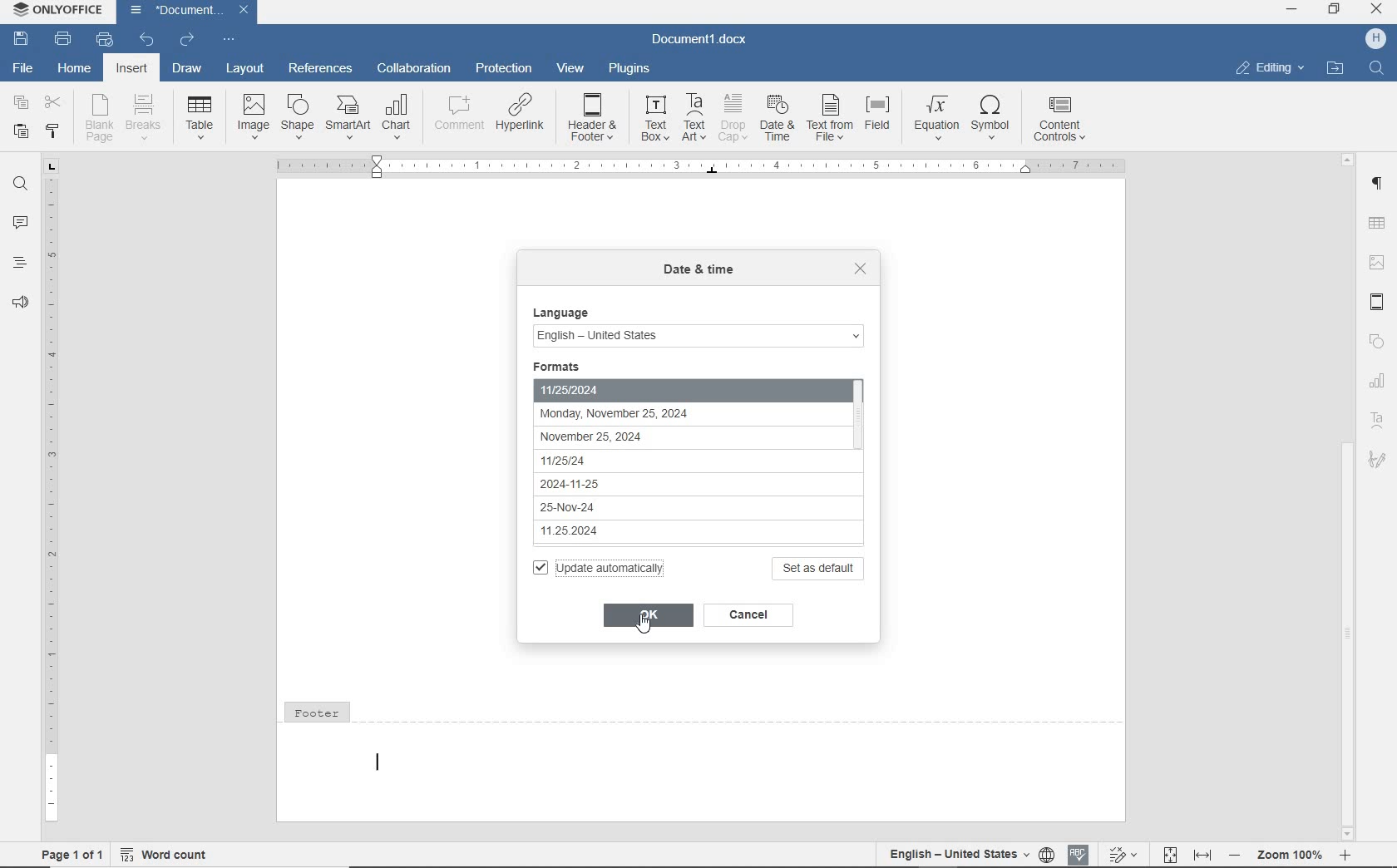 Image resolution: width=1397 pixels, height=868 pixels. What do you see at coordinates (49, 491) in the screenshot?
I see `ruler` at bounding box center [49, 491].